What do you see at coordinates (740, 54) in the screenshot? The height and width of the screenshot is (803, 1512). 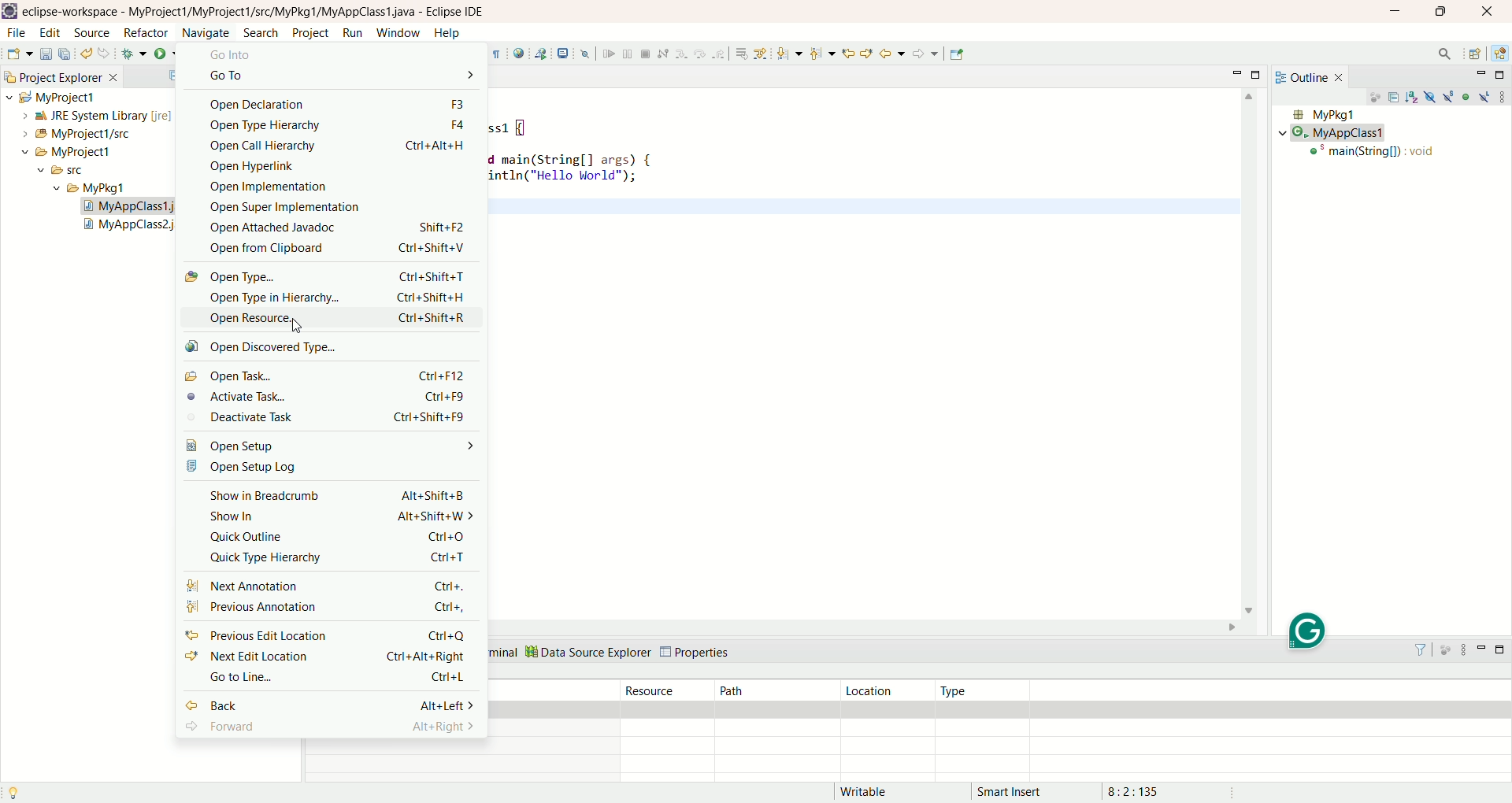 I see `drop to frame` at bounding box center [740, 54].